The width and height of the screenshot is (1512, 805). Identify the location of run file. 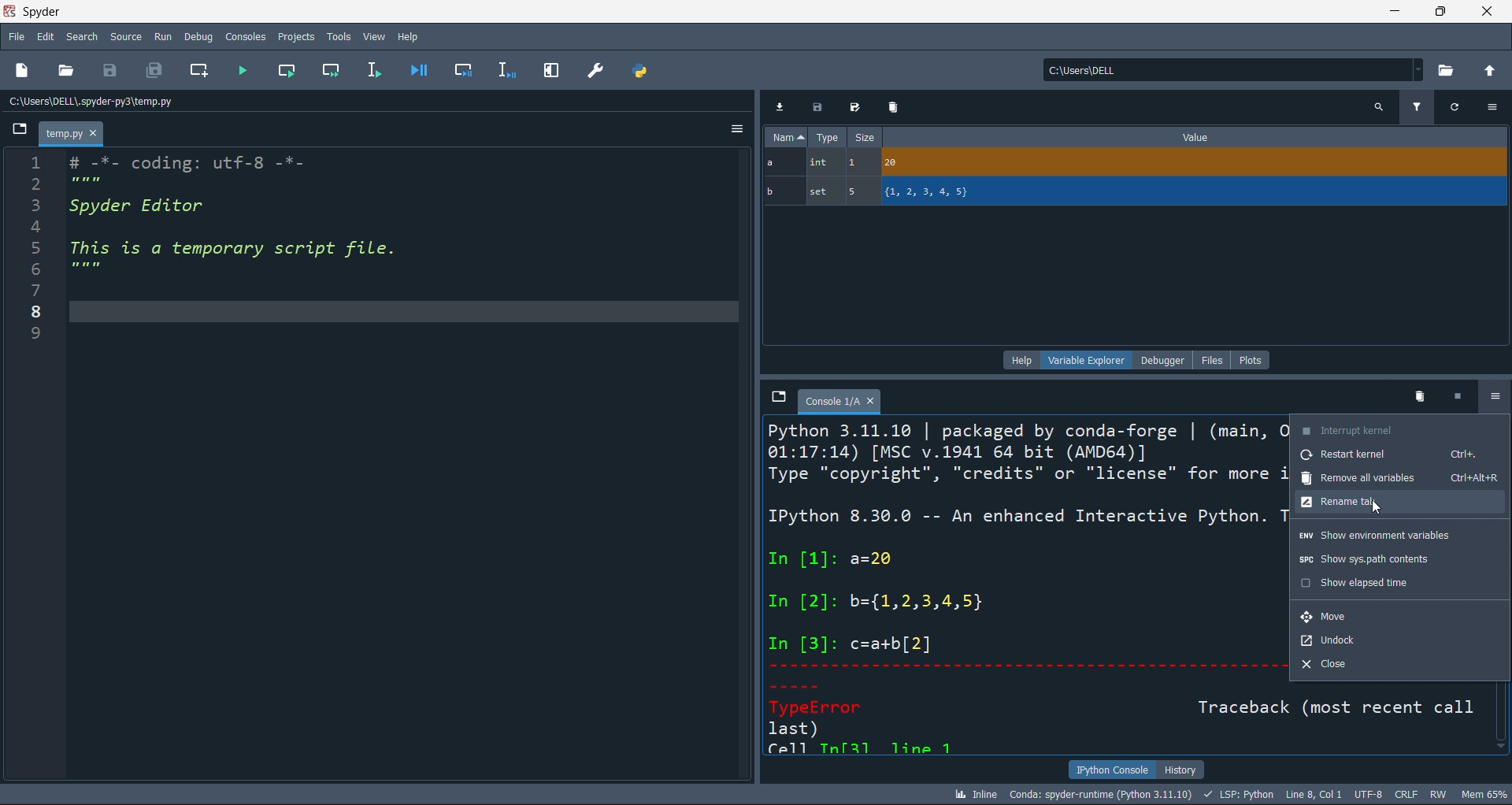
(243, 73).